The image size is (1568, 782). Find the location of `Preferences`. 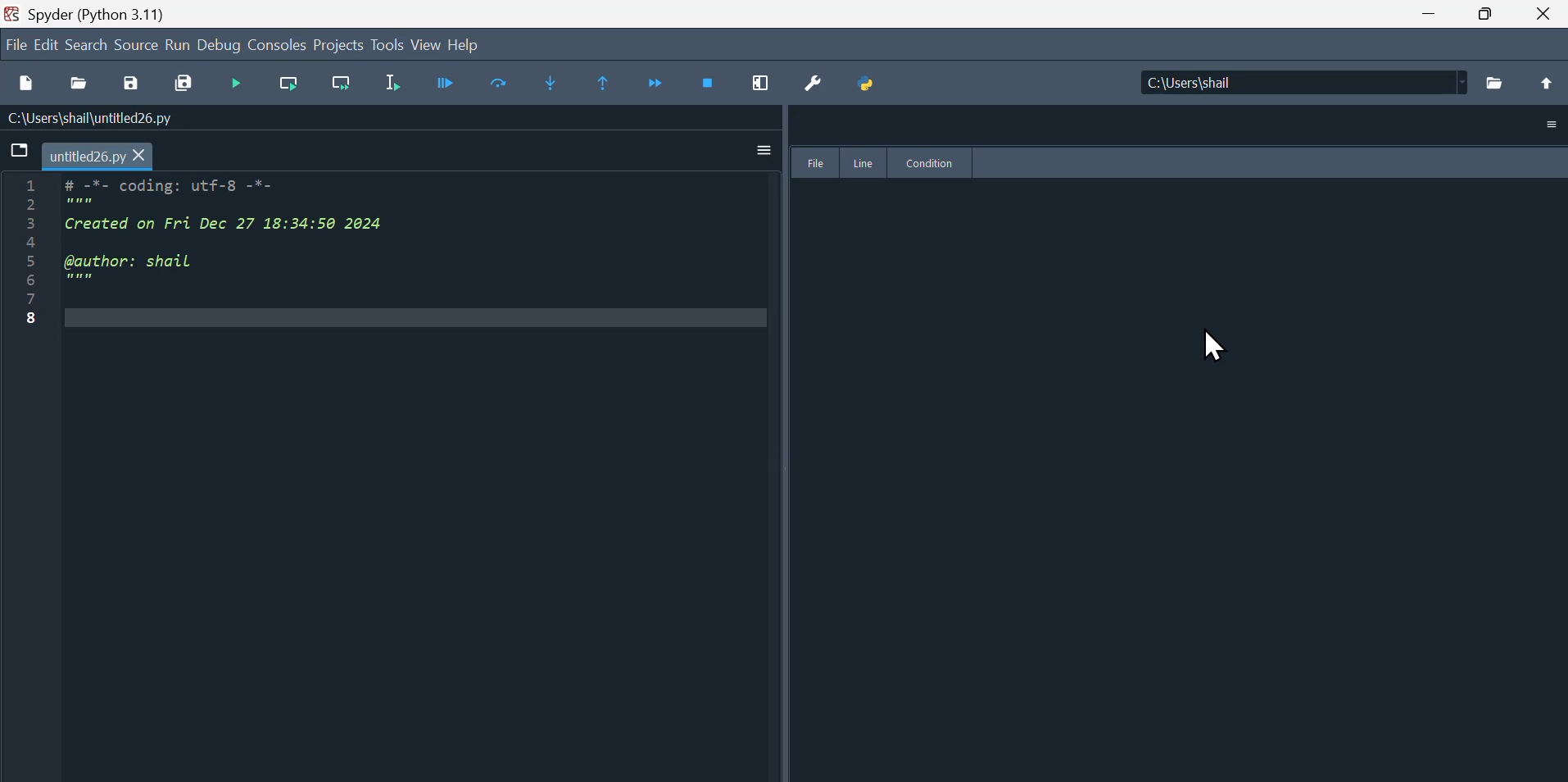

Preferences is located at coordinates (815, 84).